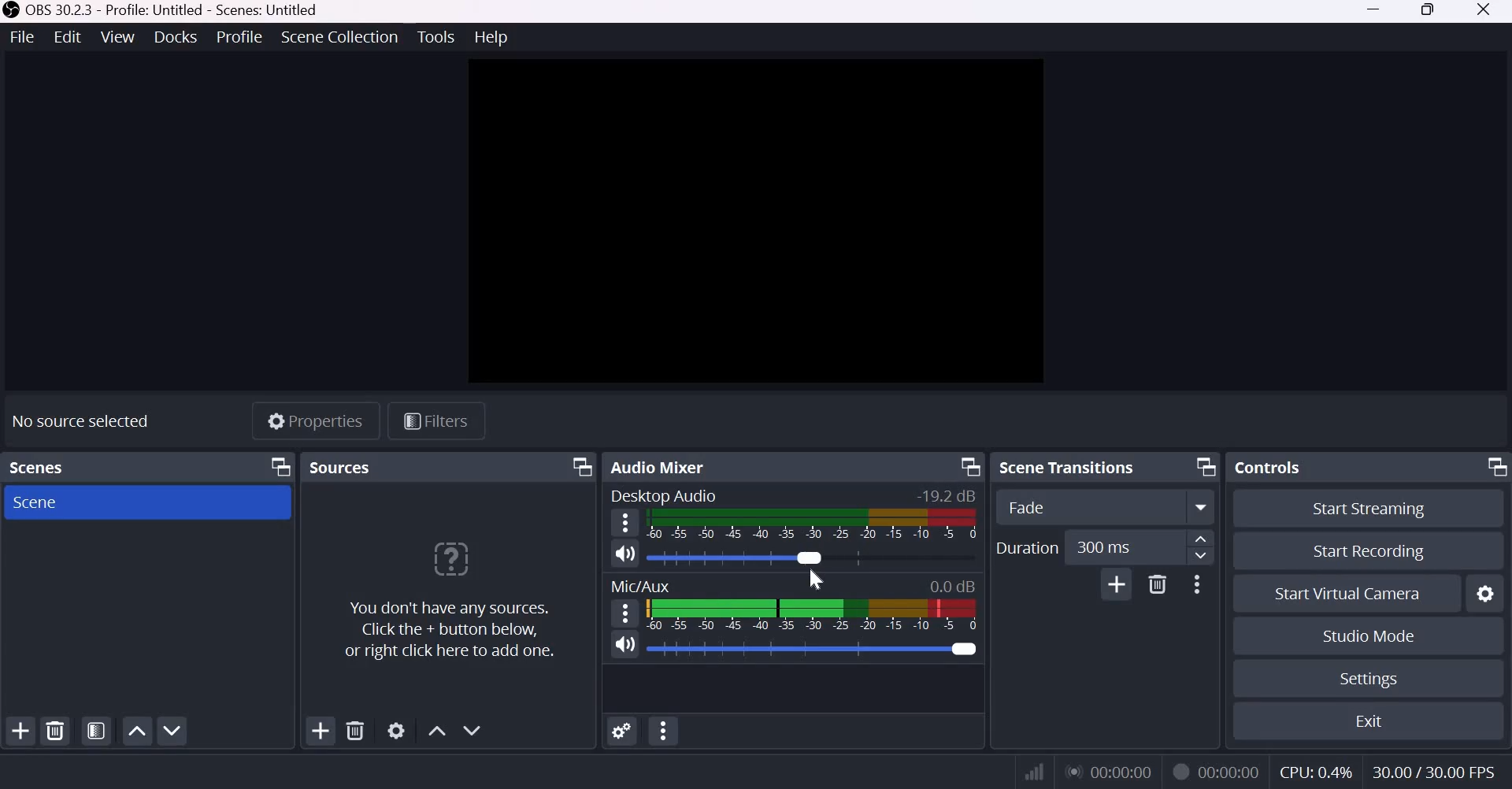 The height and width of the screenshot is (789, 1512). I want to click on Properties, so click(313, 420).